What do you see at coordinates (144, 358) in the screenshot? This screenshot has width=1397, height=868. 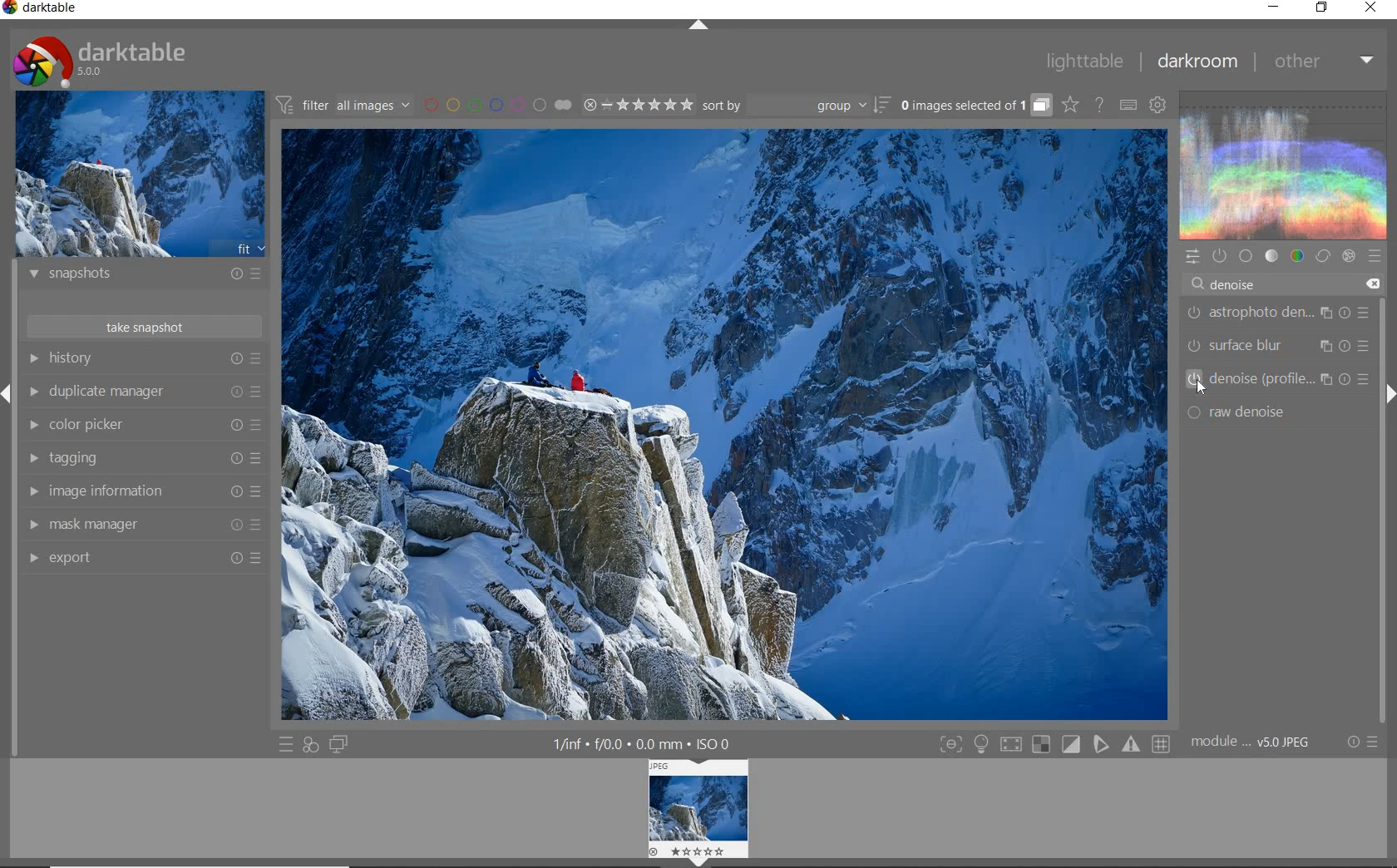 I see `history` at bounding box center [144, 358].